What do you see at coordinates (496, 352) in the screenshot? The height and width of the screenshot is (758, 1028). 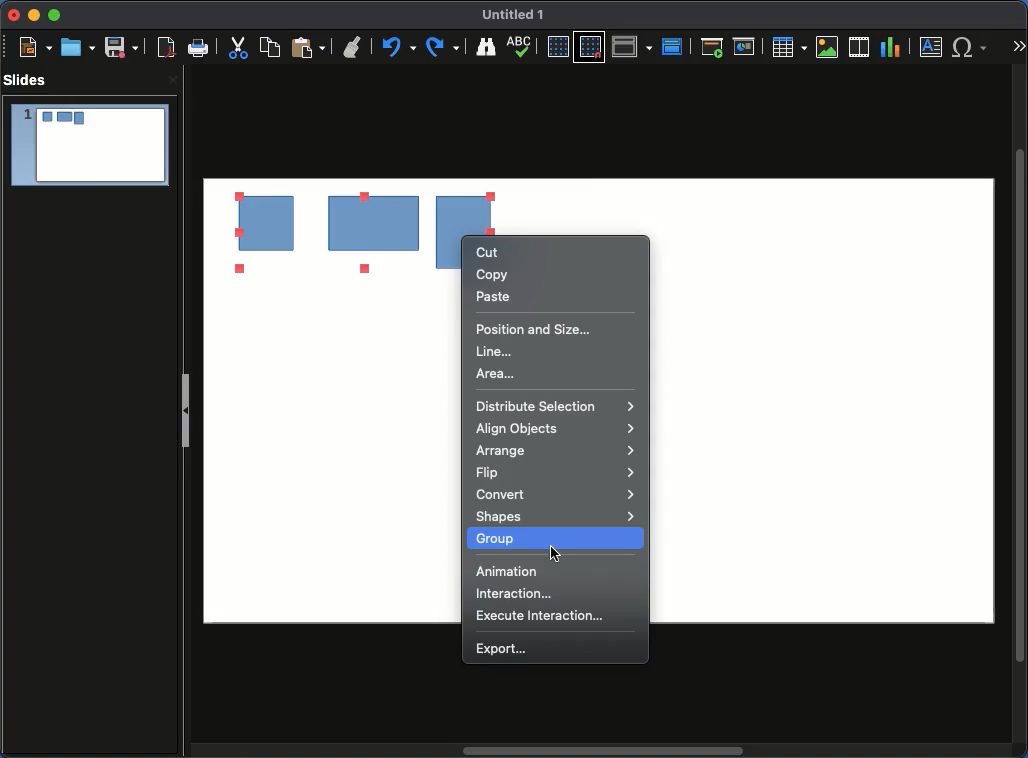 I see `Line` at bounding box center [496, 352].